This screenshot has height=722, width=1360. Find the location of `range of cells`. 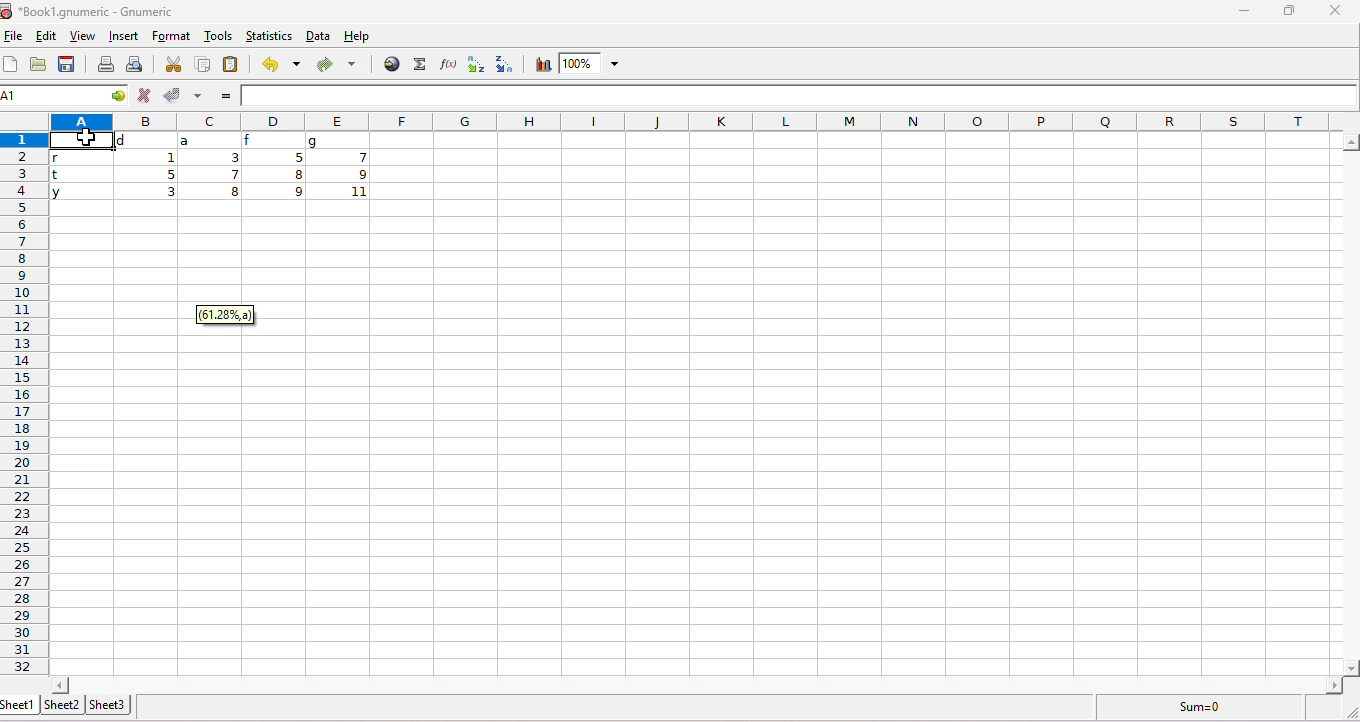

range of cells is located at coordinates (212, 168).